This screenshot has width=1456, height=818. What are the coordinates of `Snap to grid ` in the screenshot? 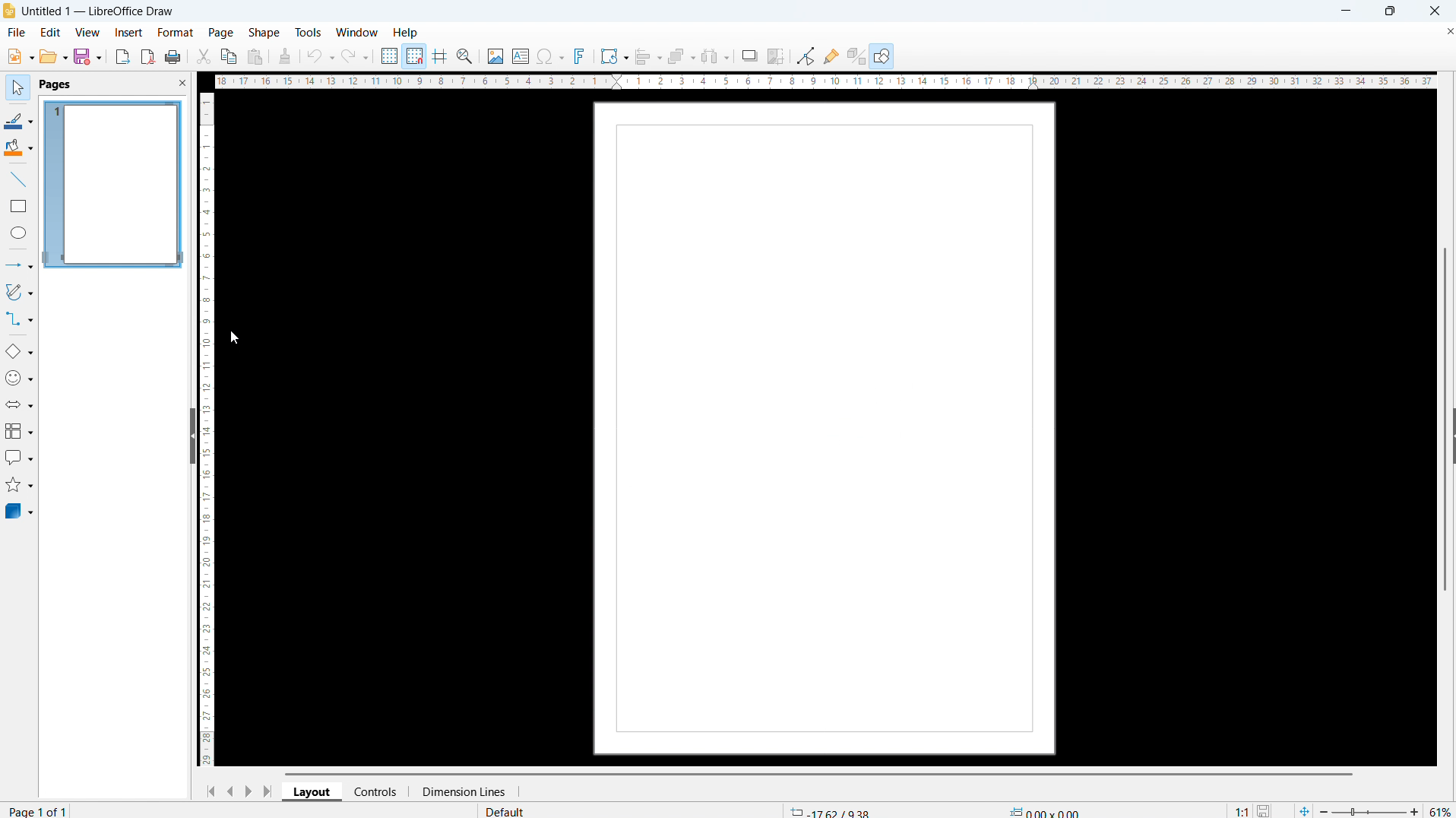 It's located at (414, 56).